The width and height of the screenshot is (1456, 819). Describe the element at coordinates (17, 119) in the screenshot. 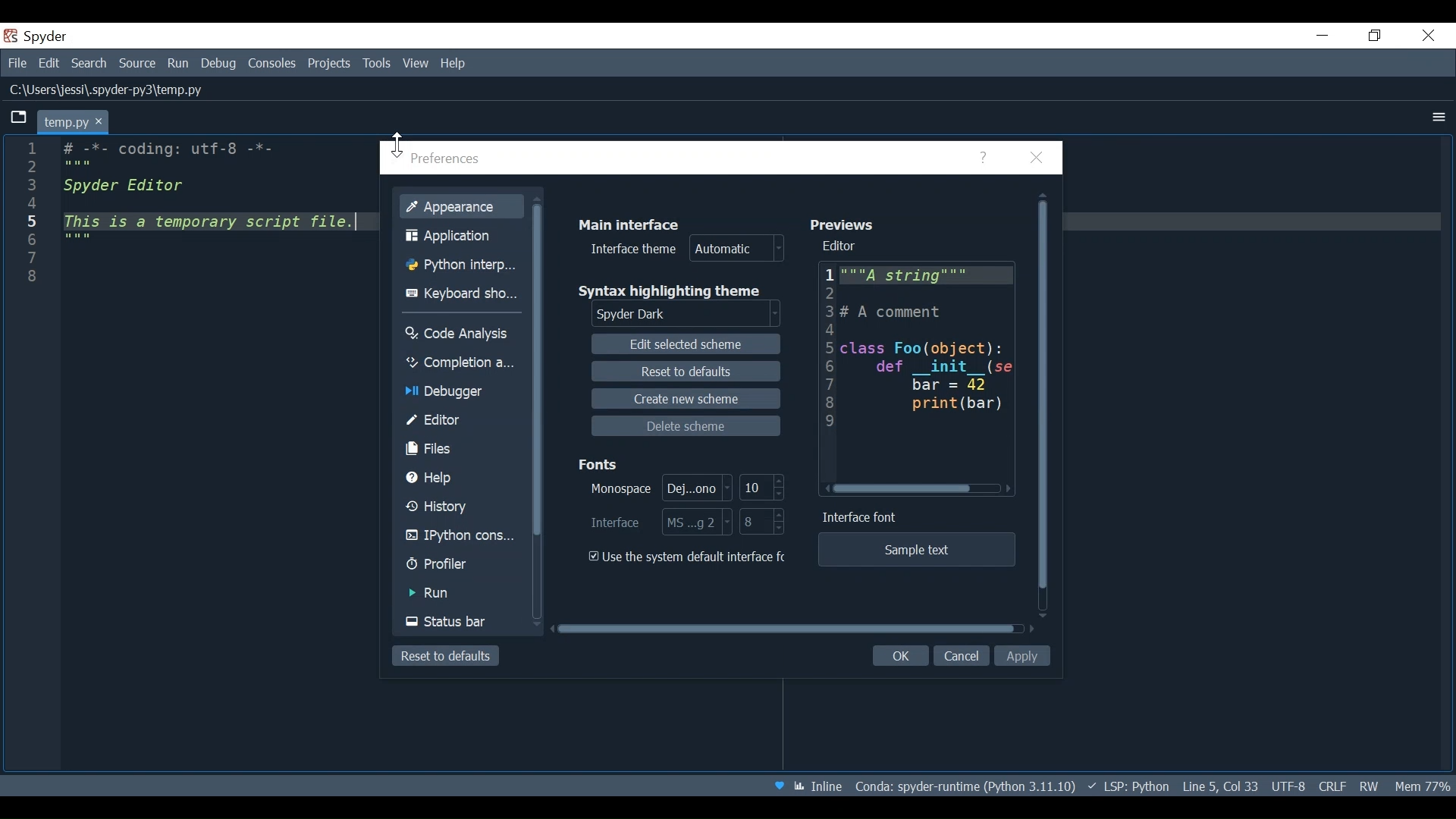

I see `Browse Tab` at that location.